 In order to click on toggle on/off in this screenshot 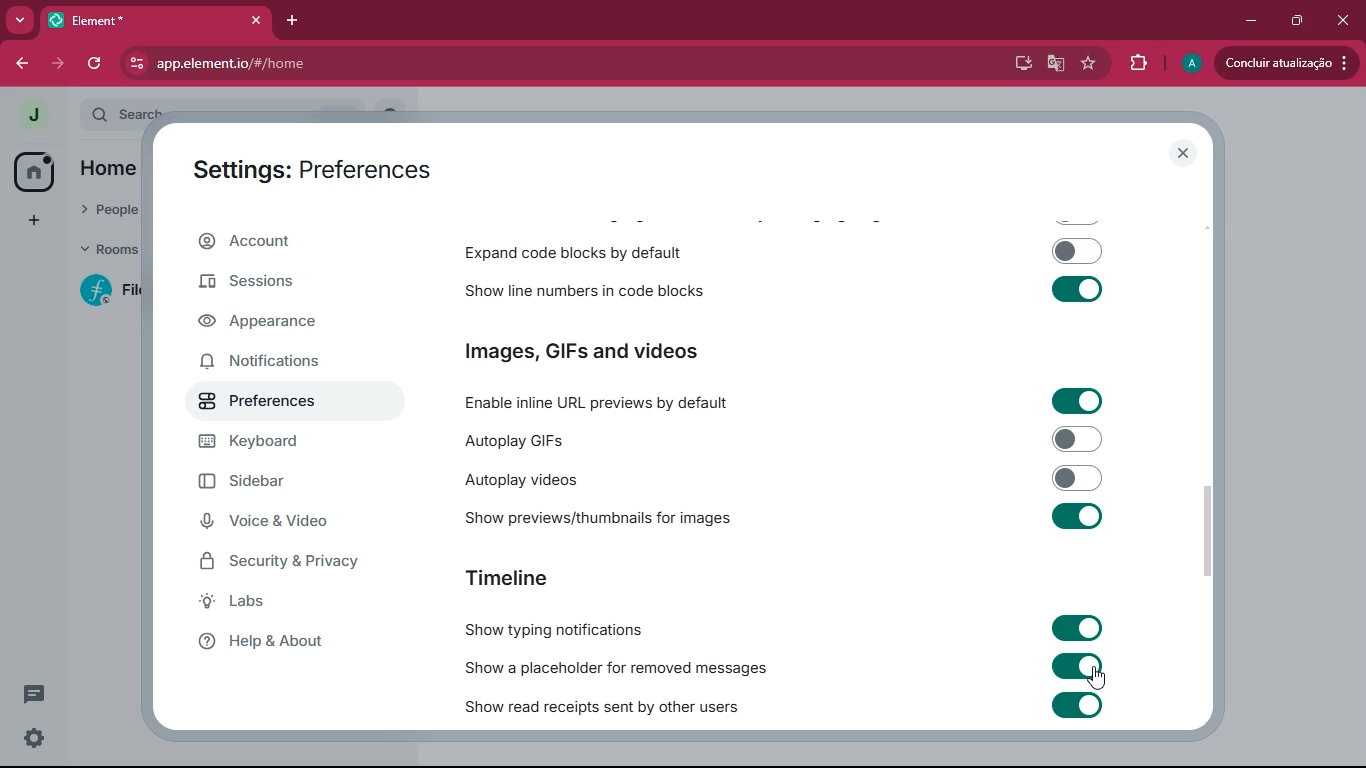, I will do `click(1078, 667)`.